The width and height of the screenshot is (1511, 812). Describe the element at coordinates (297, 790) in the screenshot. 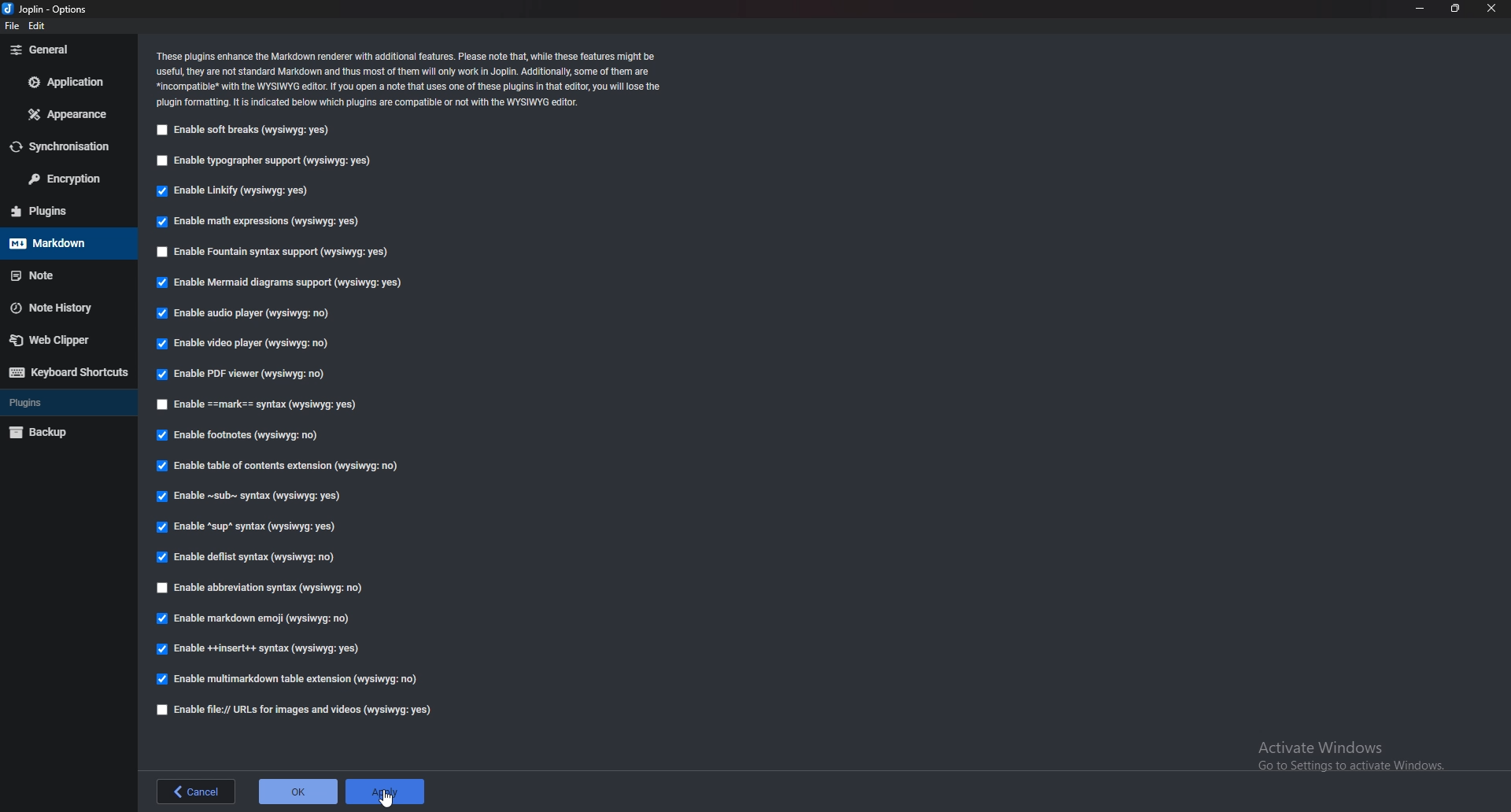

I see `ok` at that location.